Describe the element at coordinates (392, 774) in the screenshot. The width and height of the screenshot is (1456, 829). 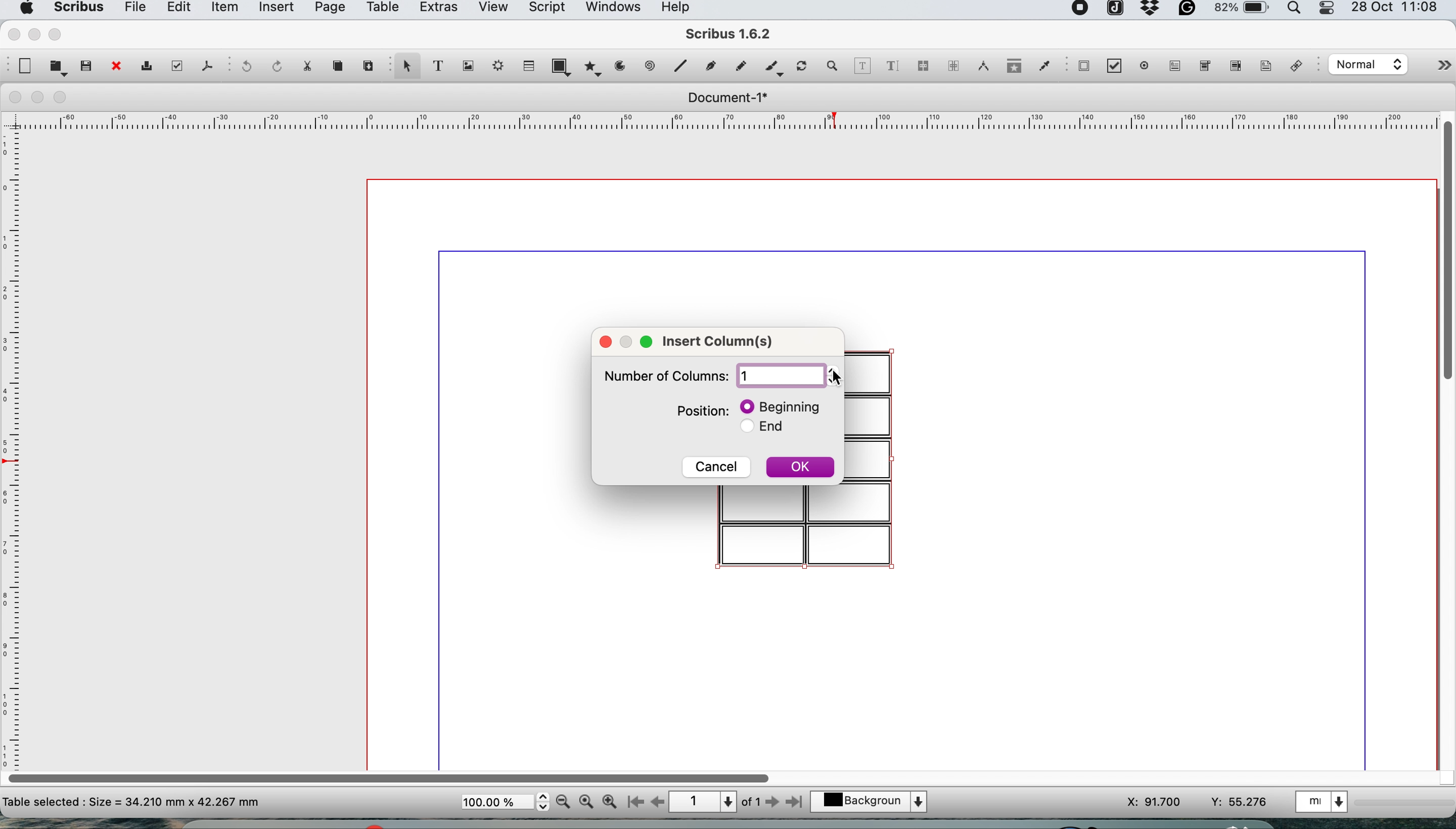
I see `horizontal scroll bar` at that location.